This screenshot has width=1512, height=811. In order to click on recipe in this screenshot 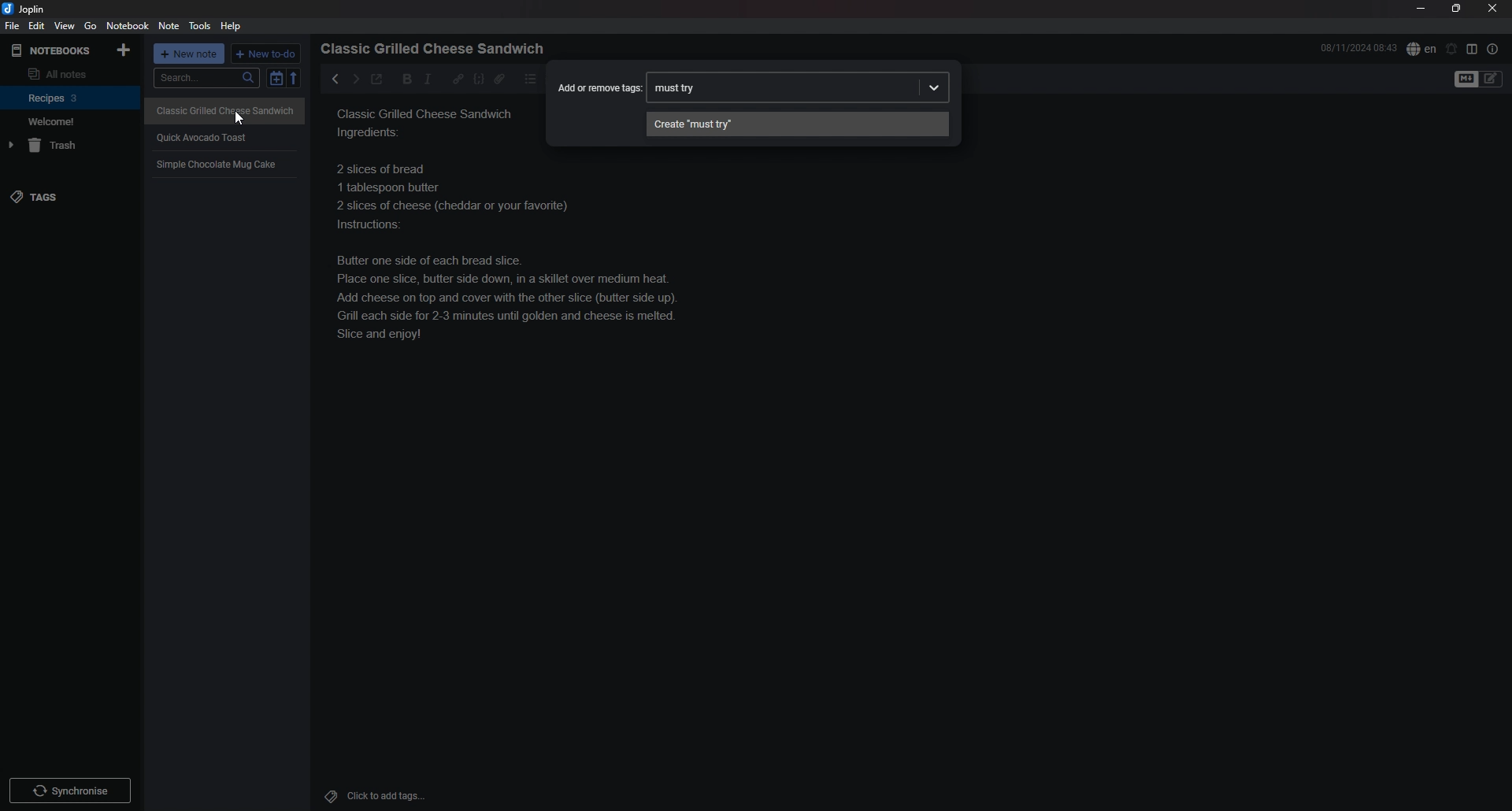, I will do `click(202, 136)`.